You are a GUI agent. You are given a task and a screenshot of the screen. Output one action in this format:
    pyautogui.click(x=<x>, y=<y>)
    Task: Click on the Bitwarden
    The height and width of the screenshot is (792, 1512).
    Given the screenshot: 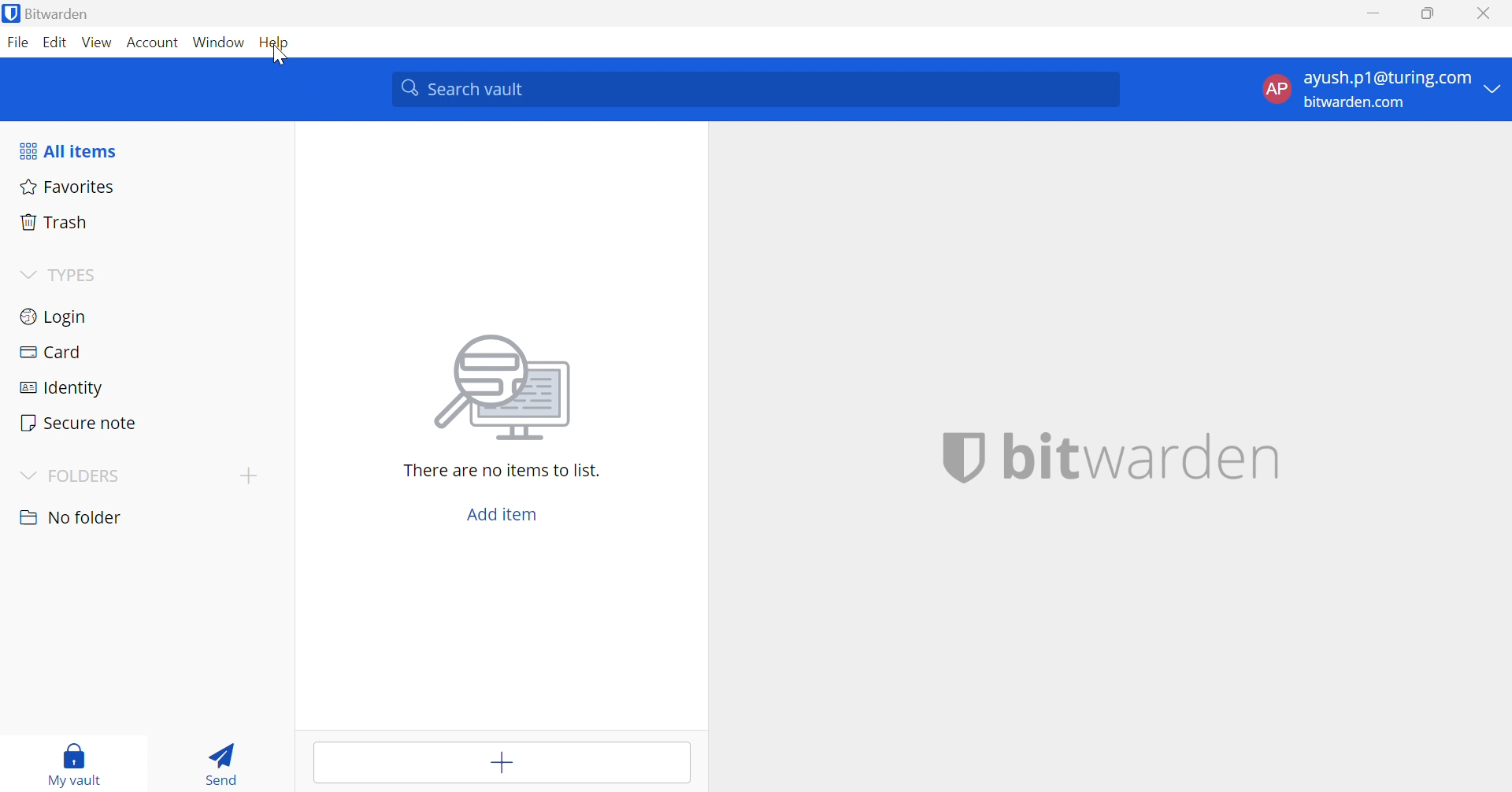 What is the action you would take?
    pyautogui.click(x=49, y=13)
    